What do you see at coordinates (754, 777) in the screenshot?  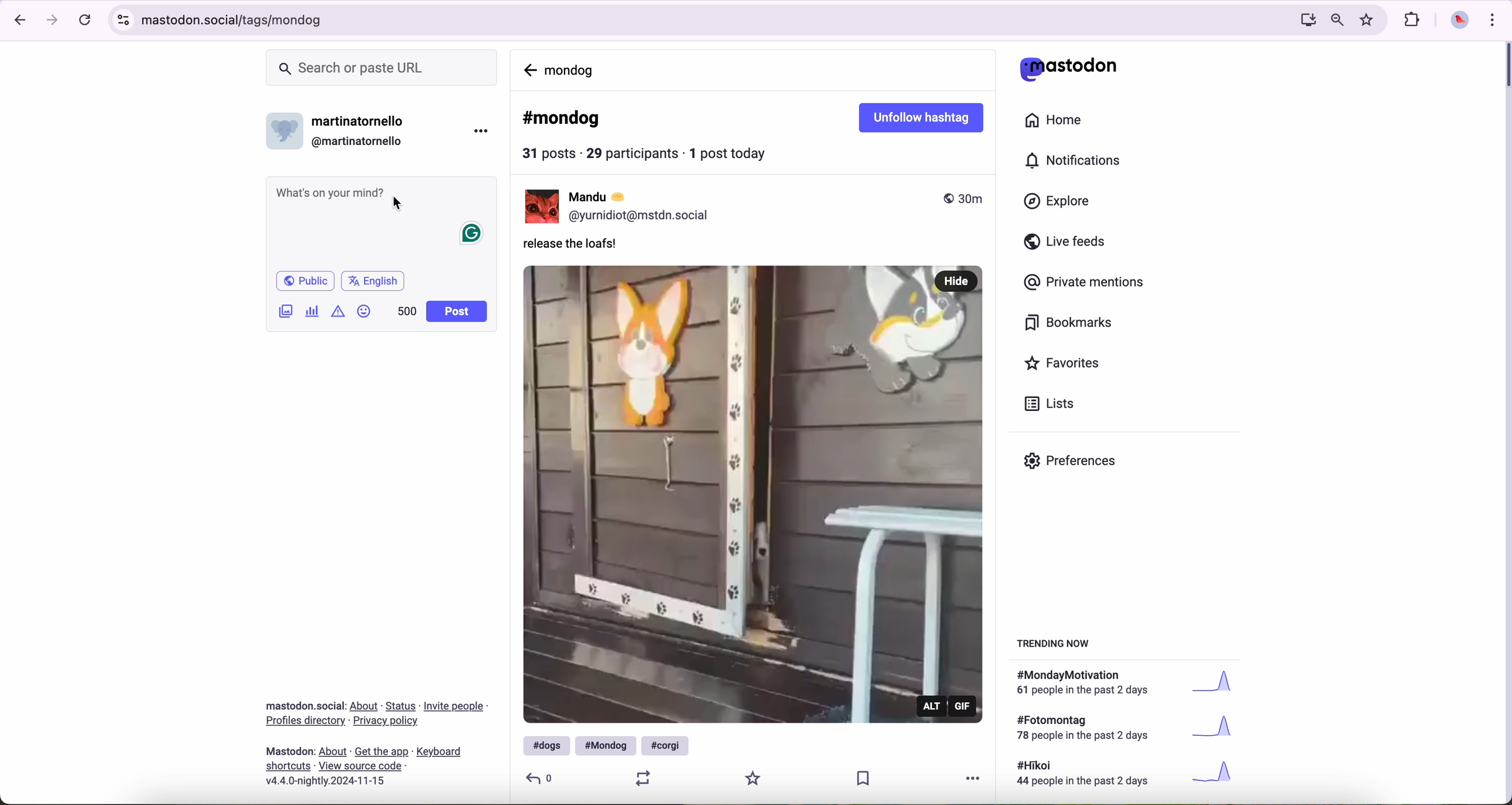 I see `favorite` at bounding box center [754, 777].